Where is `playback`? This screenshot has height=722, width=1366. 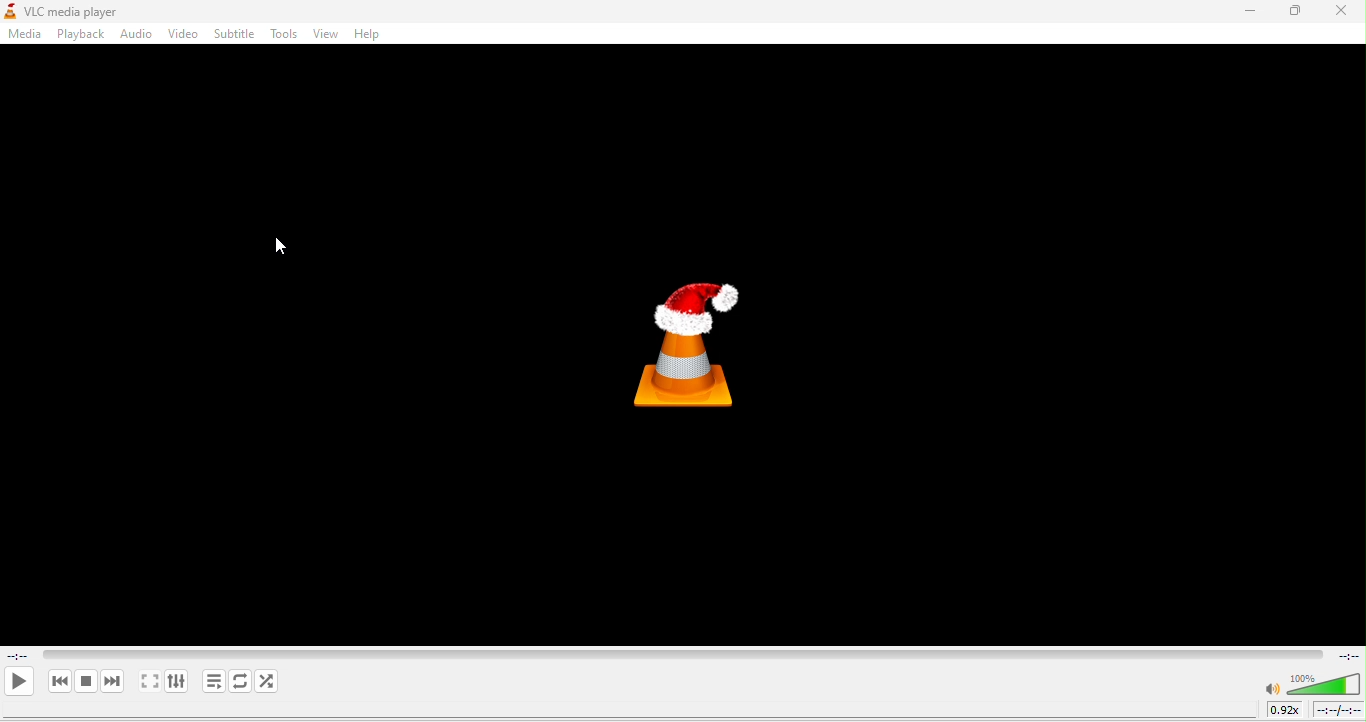
playback is located at coordinates (82, 34).